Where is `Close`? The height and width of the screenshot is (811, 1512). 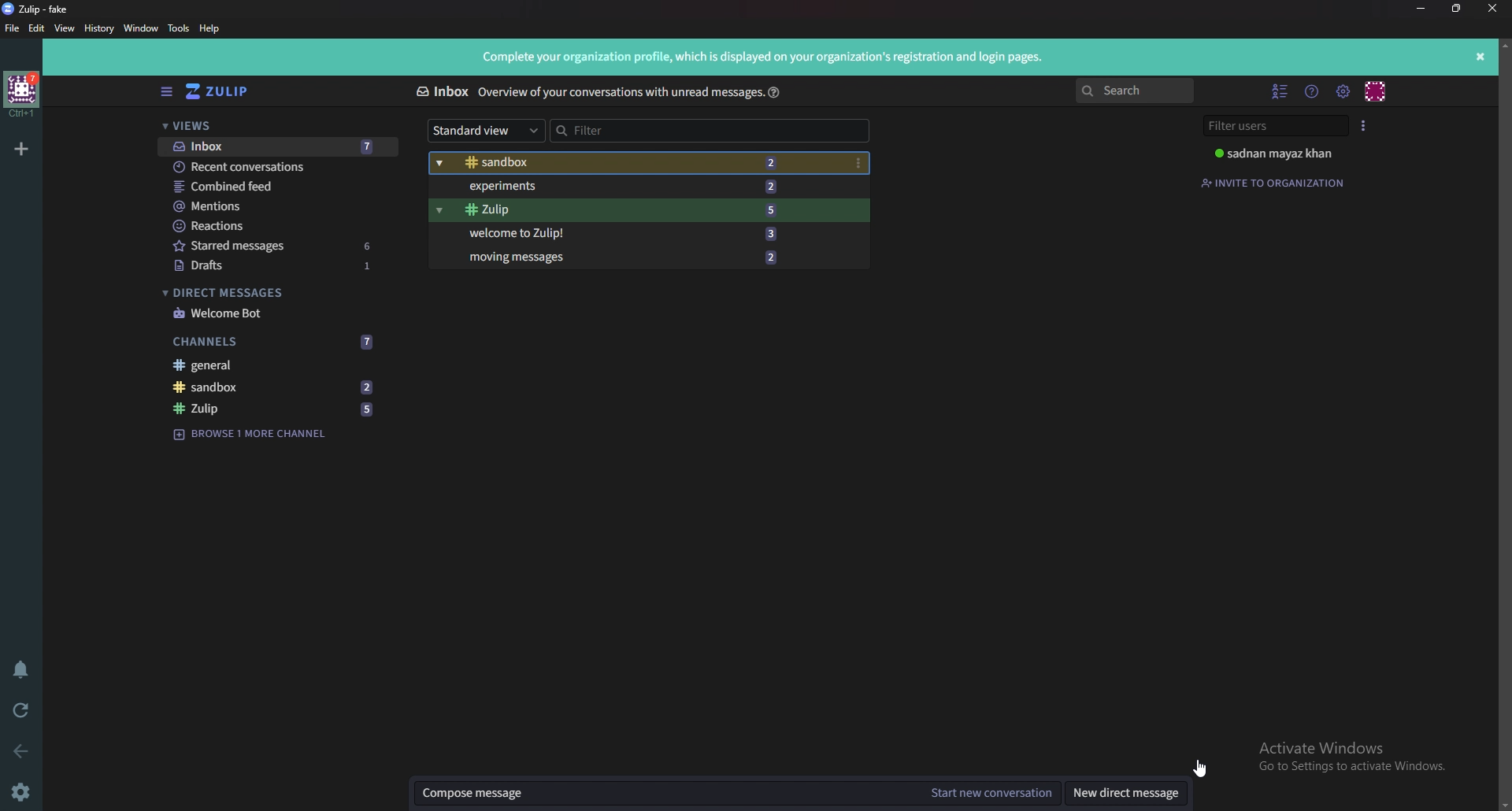
Close is located at coordinates (1493, 8).